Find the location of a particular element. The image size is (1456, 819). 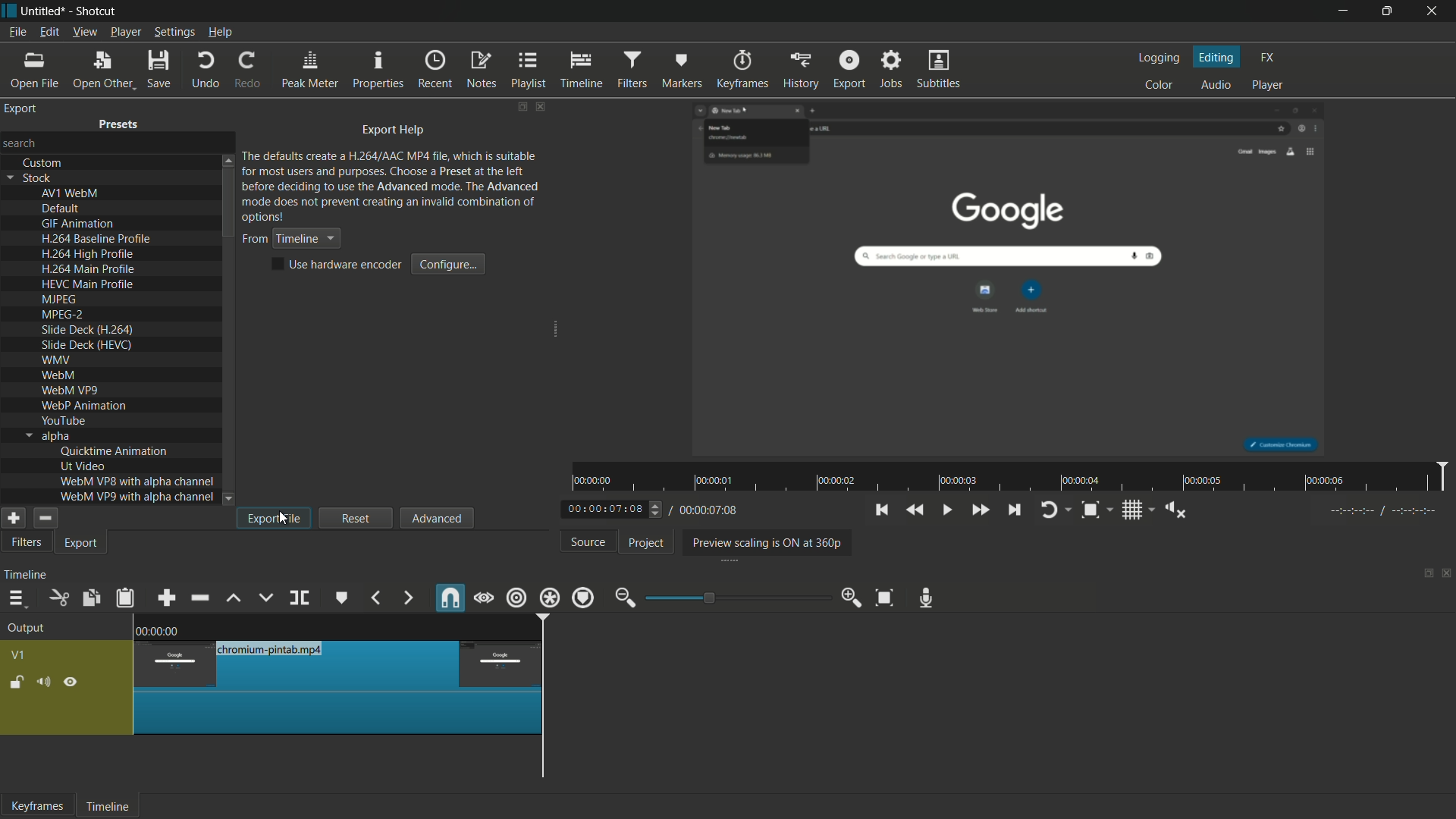

export is located at coordinates (20, 108).